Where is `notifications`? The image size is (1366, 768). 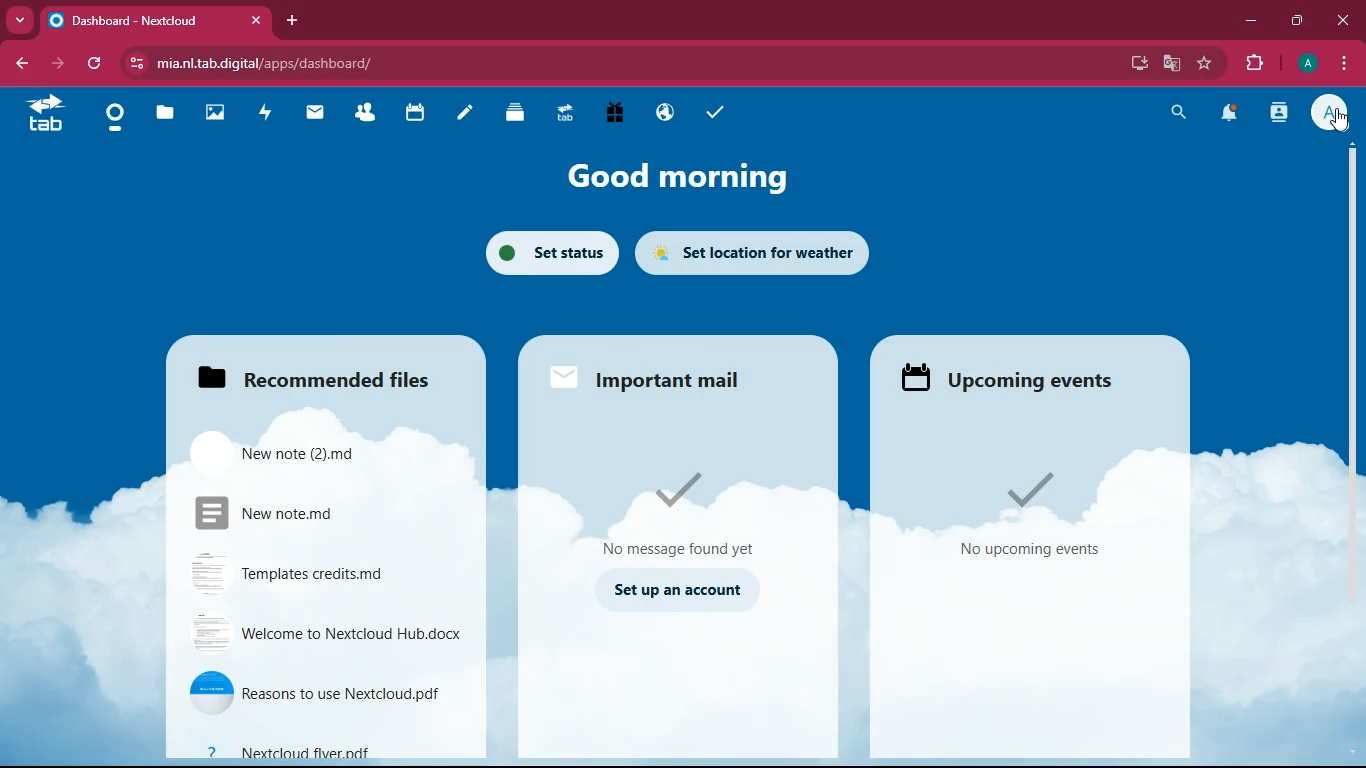
notifications is located at coordinates (1230, 112).